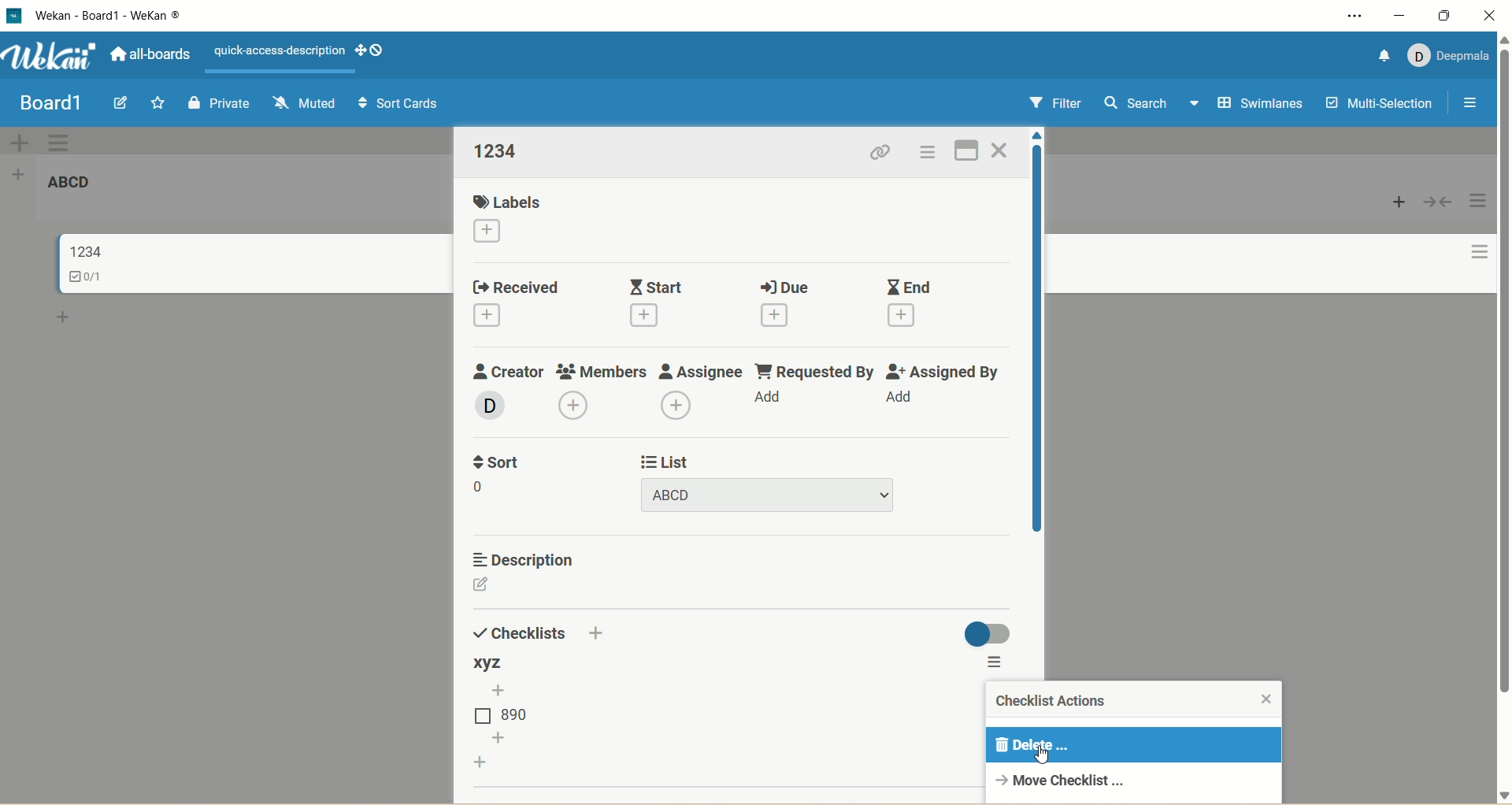 The width and height of the screenshot is (1512, 805). What do you see at coordinates (88, 279) in the screenshot?
I see `checklist` at bounding box center [88, 279].